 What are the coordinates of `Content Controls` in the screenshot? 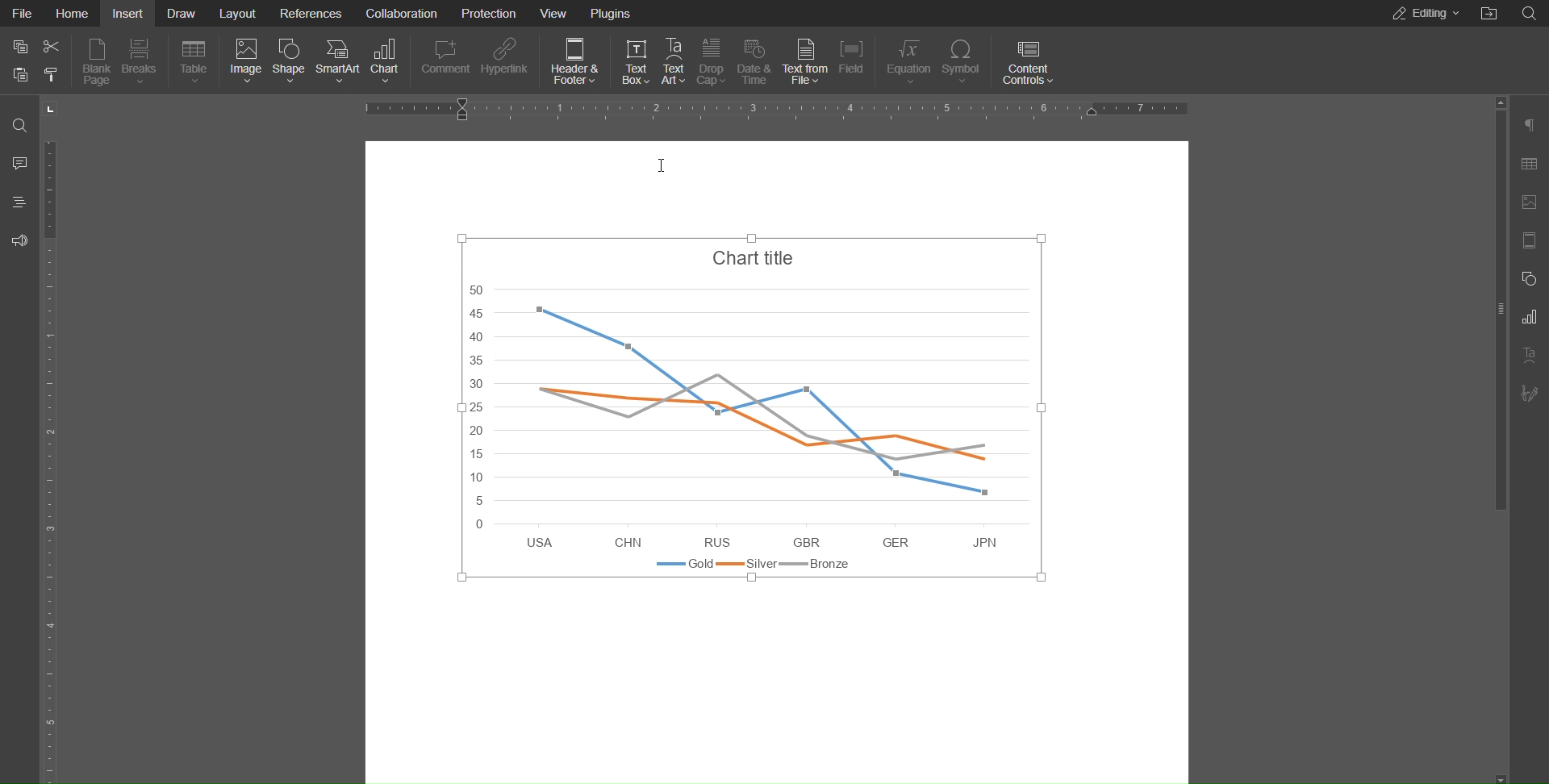 It's located at (1027, 60).